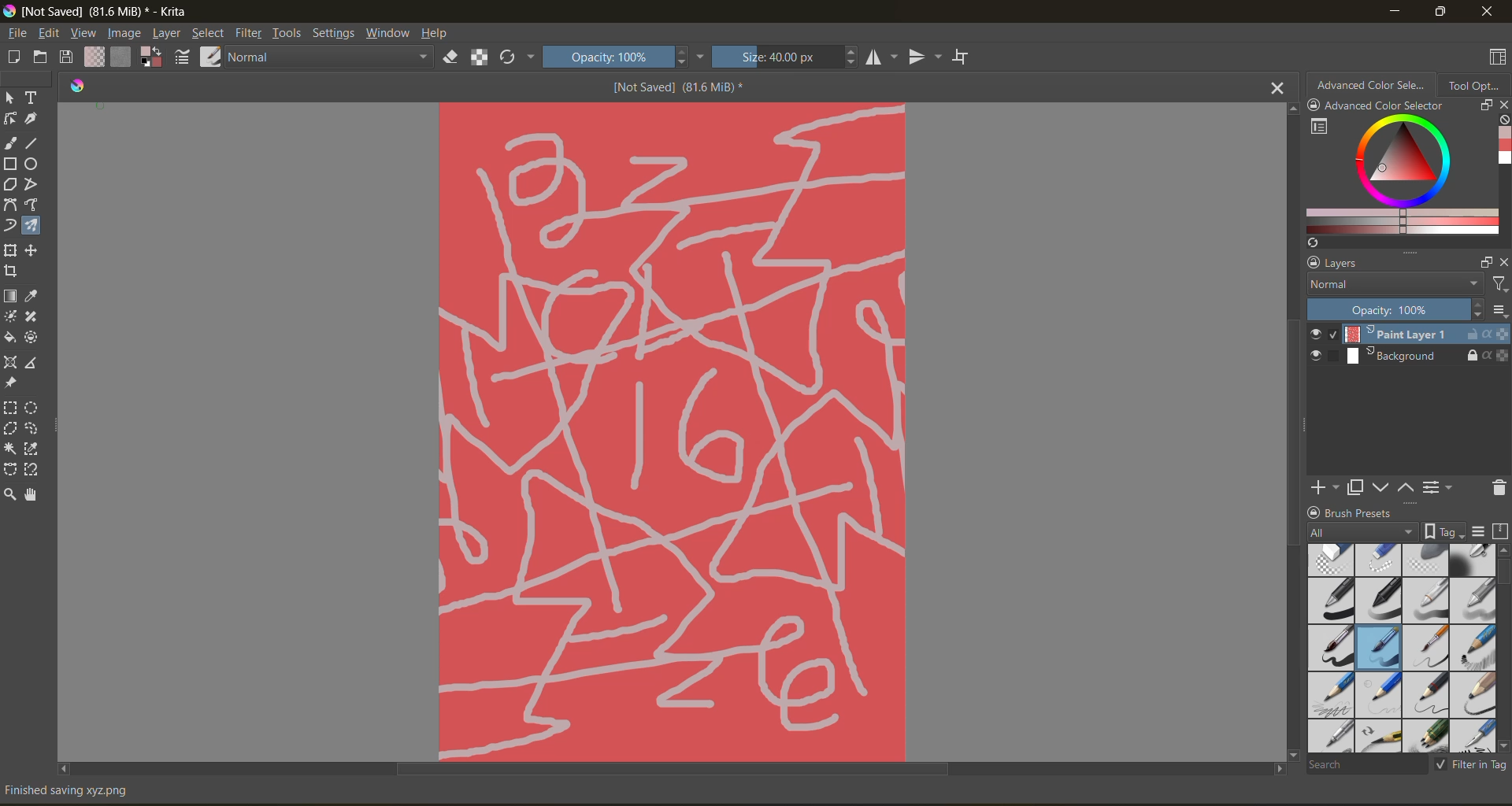 The image size is (1512, 806). Describe the element at coordinates (1392, 285) in the screenshot. I see `normal` at that location.